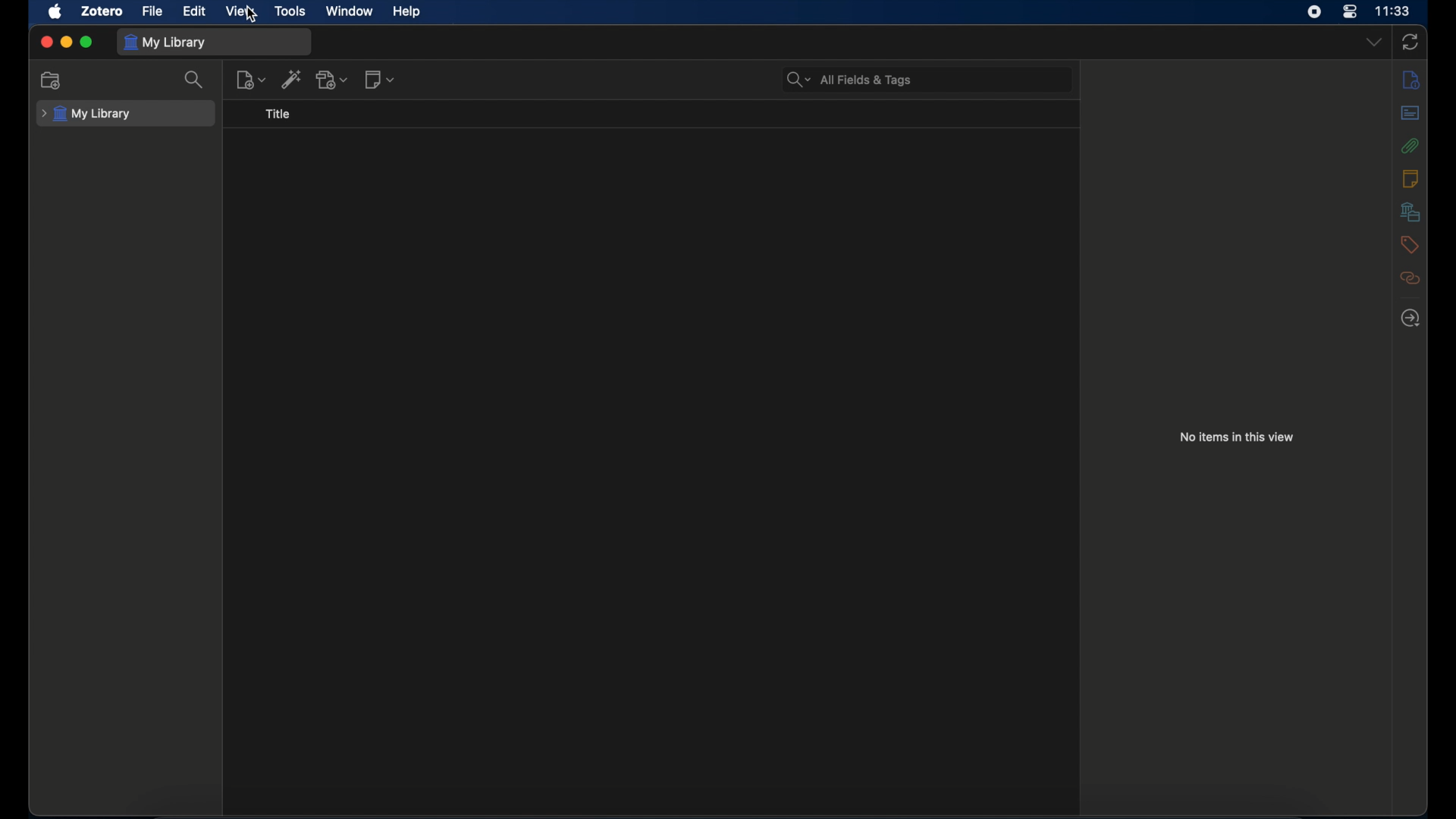  Describe the element at coordinates (1393, 10) in the screenshot. I see `time` at that location.